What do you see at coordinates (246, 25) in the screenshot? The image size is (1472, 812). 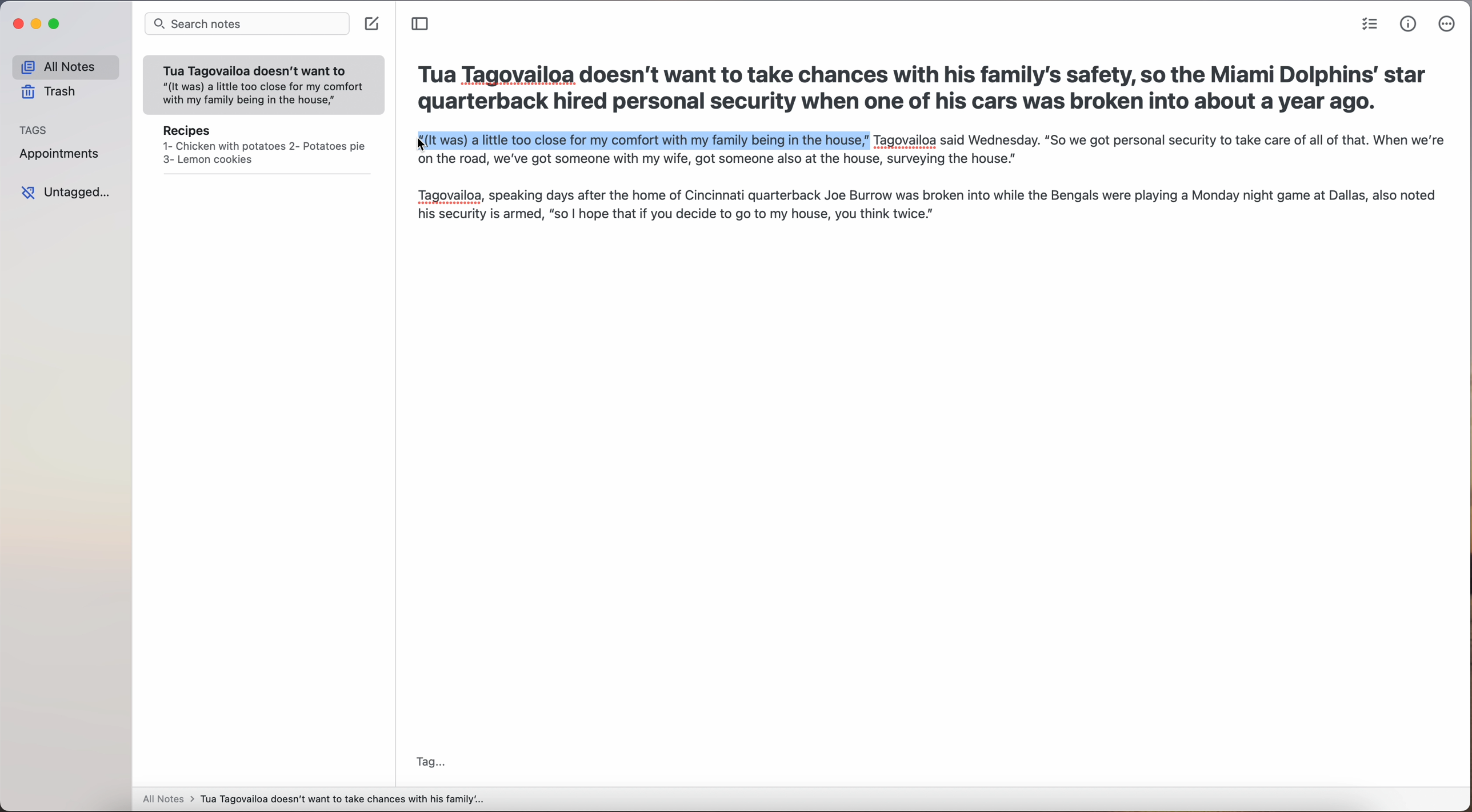 I see `search notes` at bounding box center [246, 25].